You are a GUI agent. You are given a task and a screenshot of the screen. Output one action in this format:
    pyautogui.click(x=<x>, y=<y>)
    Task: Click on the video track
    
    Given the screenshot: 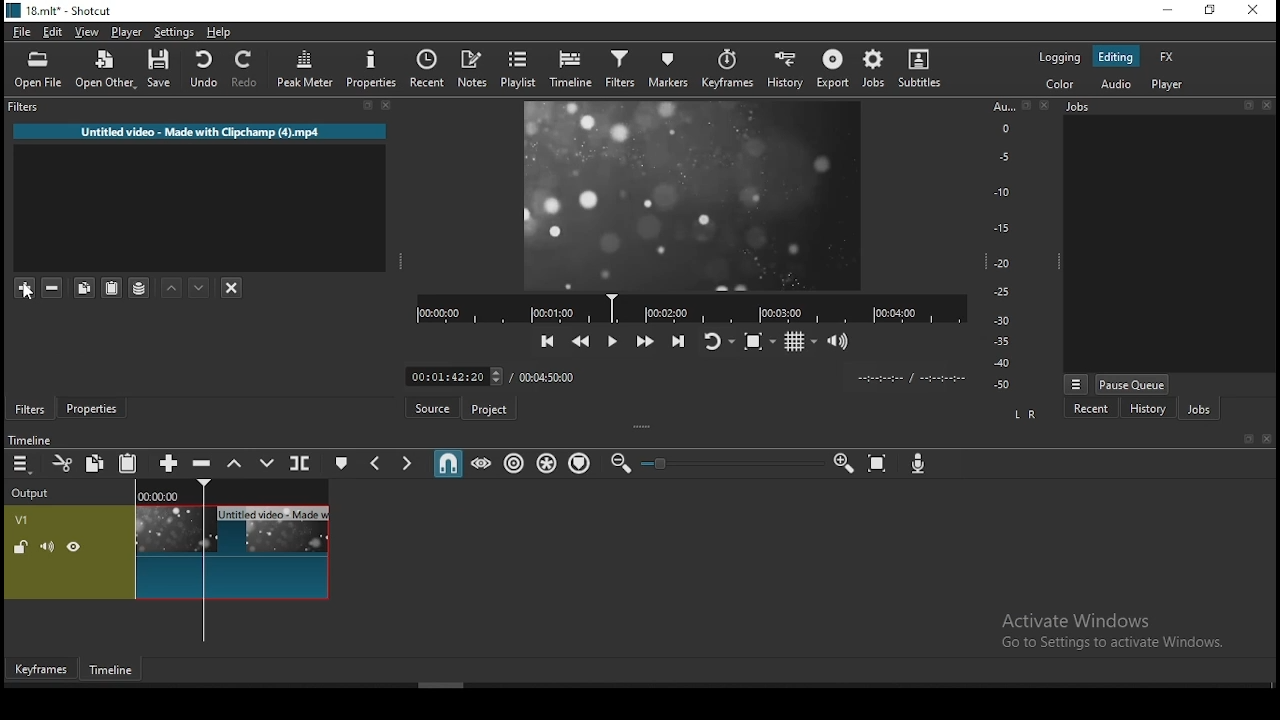 What is the action you would take?
    pyautogui.click(x=167, y=552)
    